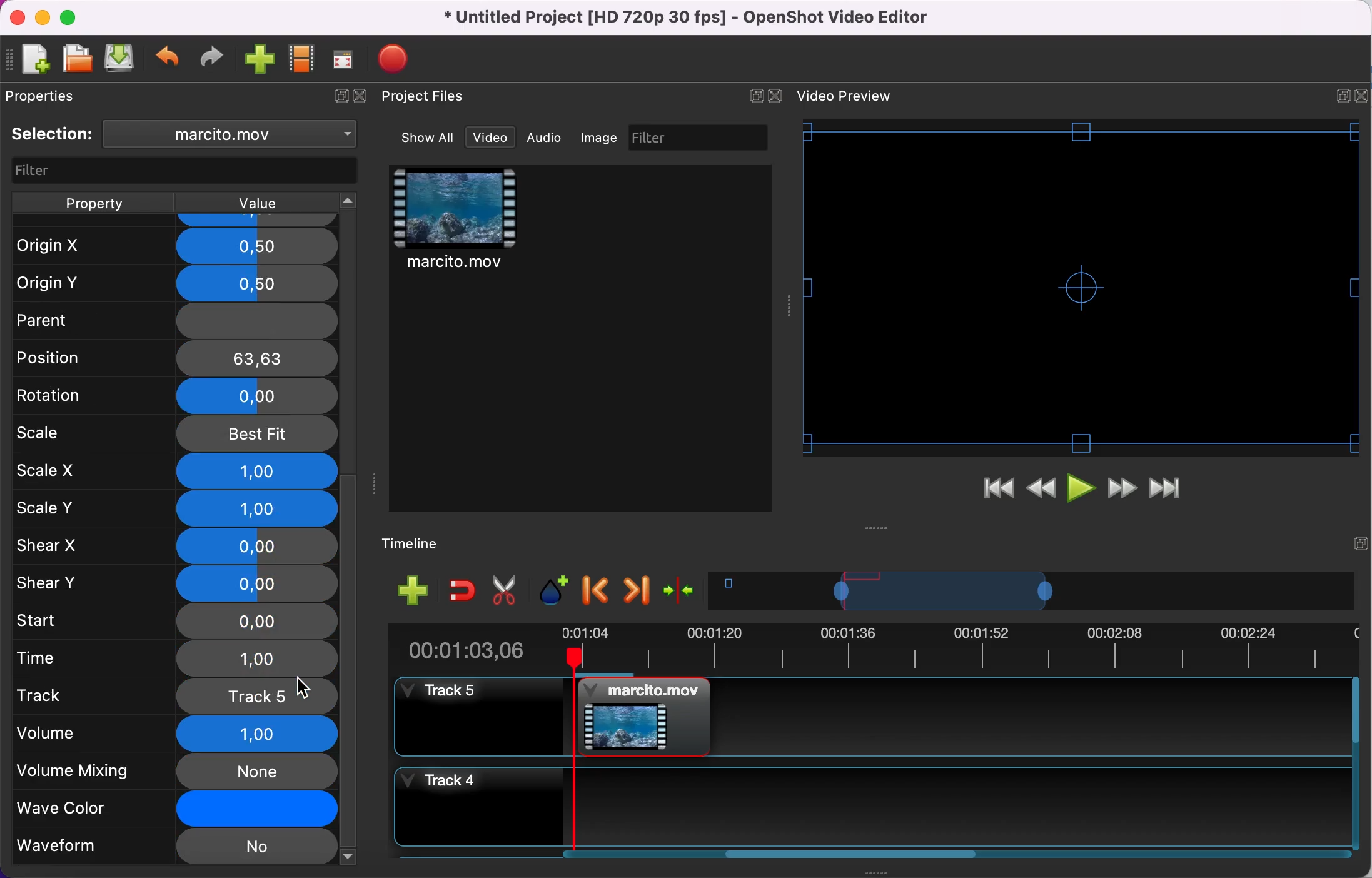 The width and height of the screenshot is (1372, 878). Describe the element at coordinates (175, 547) in the screenshot. I see `shear x 0` at that location.